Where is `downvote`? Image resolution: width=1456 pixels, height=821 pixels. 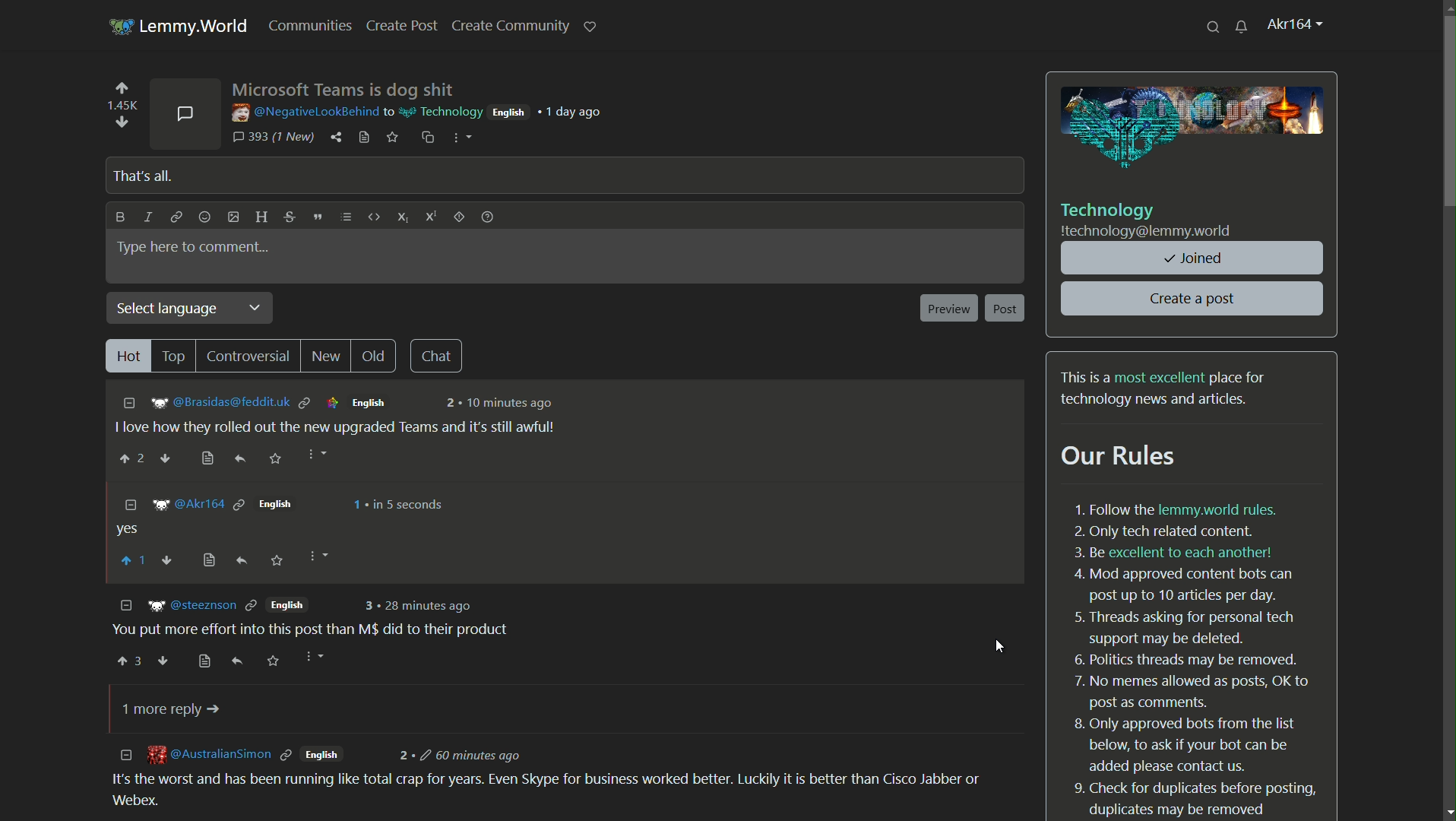 downvote is located at coordinates (165, 658).